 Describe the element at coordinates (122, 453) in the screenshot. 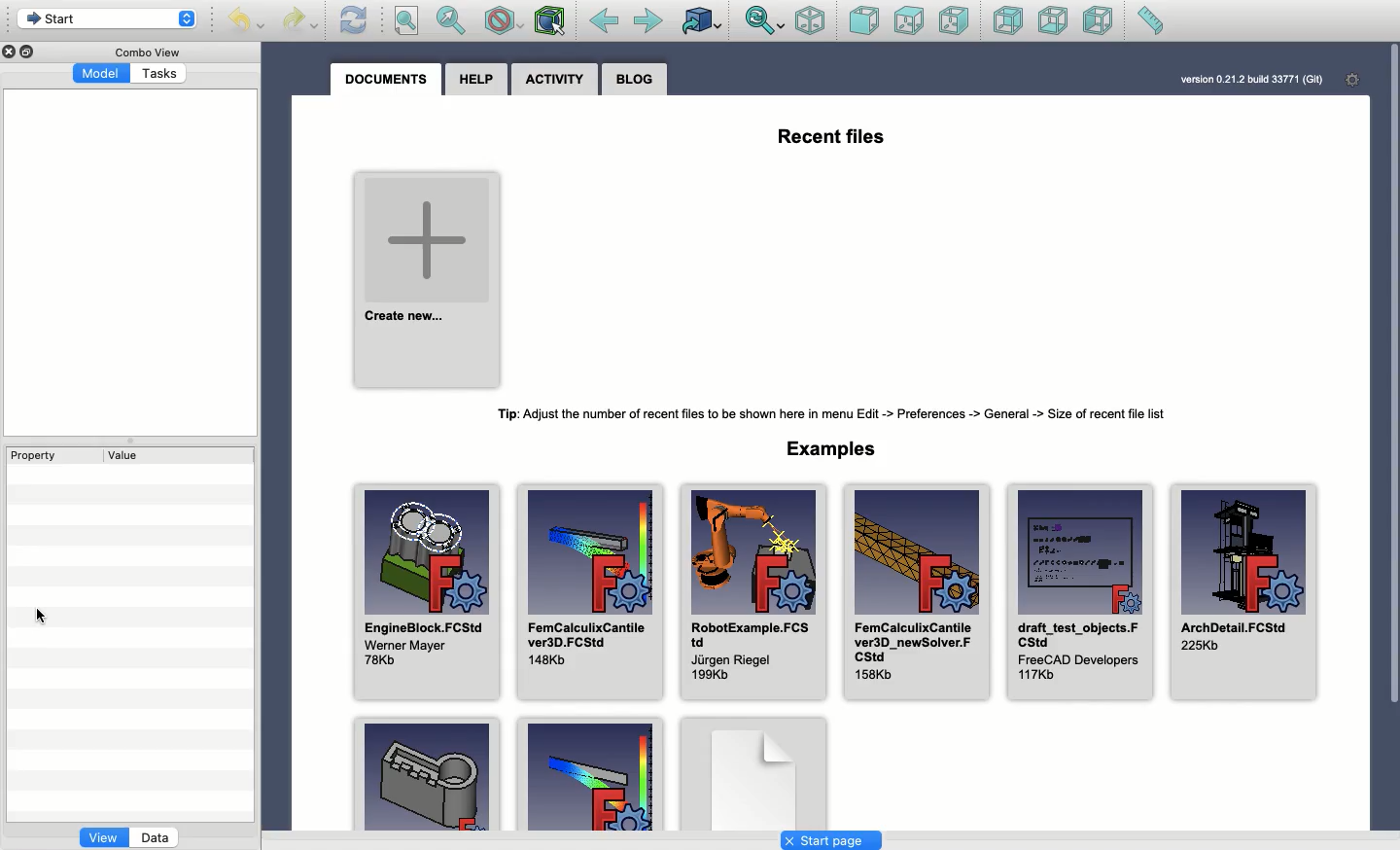

I see `Value` at that location.